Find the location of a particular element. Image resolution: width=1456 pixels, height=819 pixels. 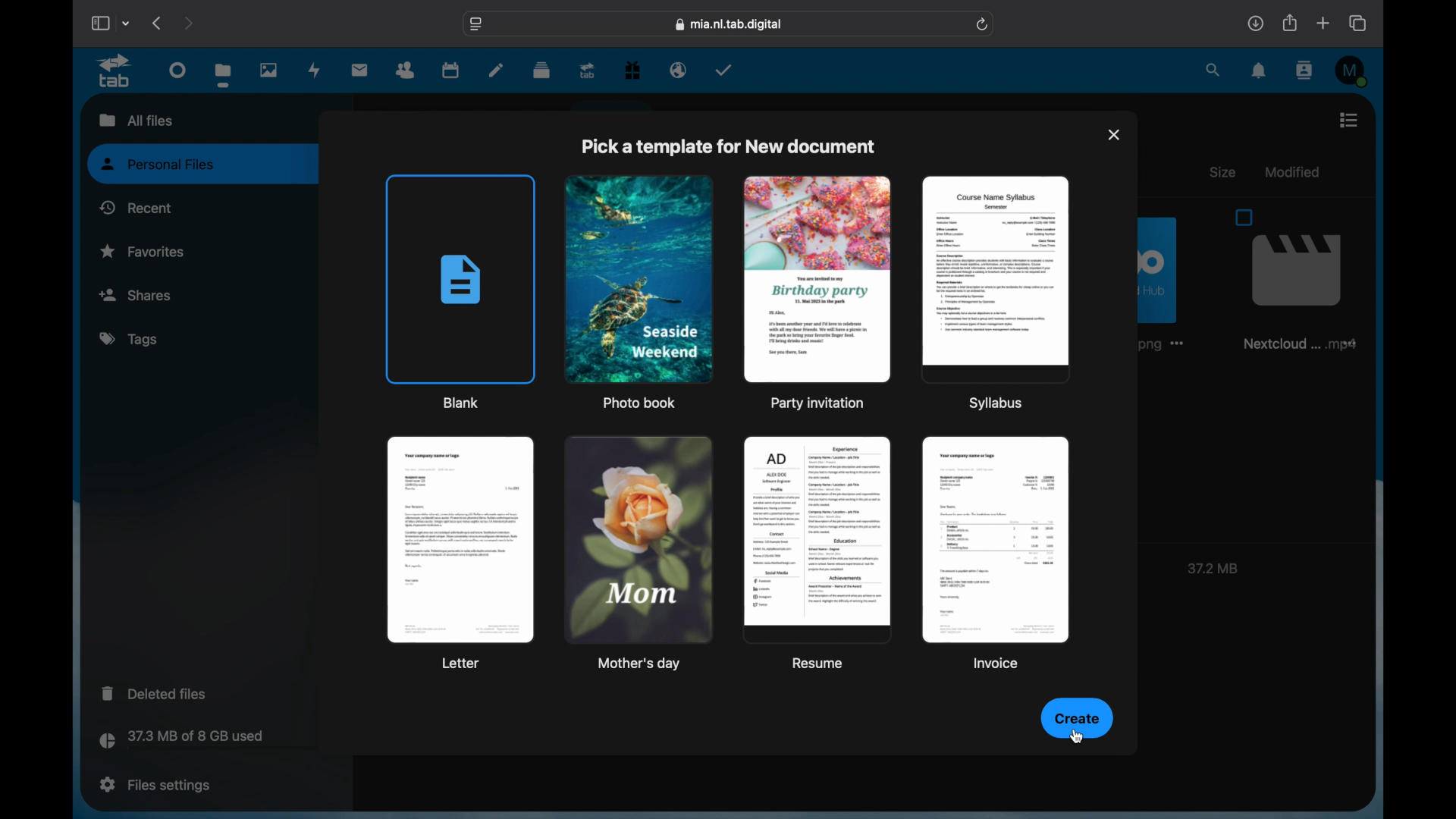

free trial is located at coordinates (632, 71).